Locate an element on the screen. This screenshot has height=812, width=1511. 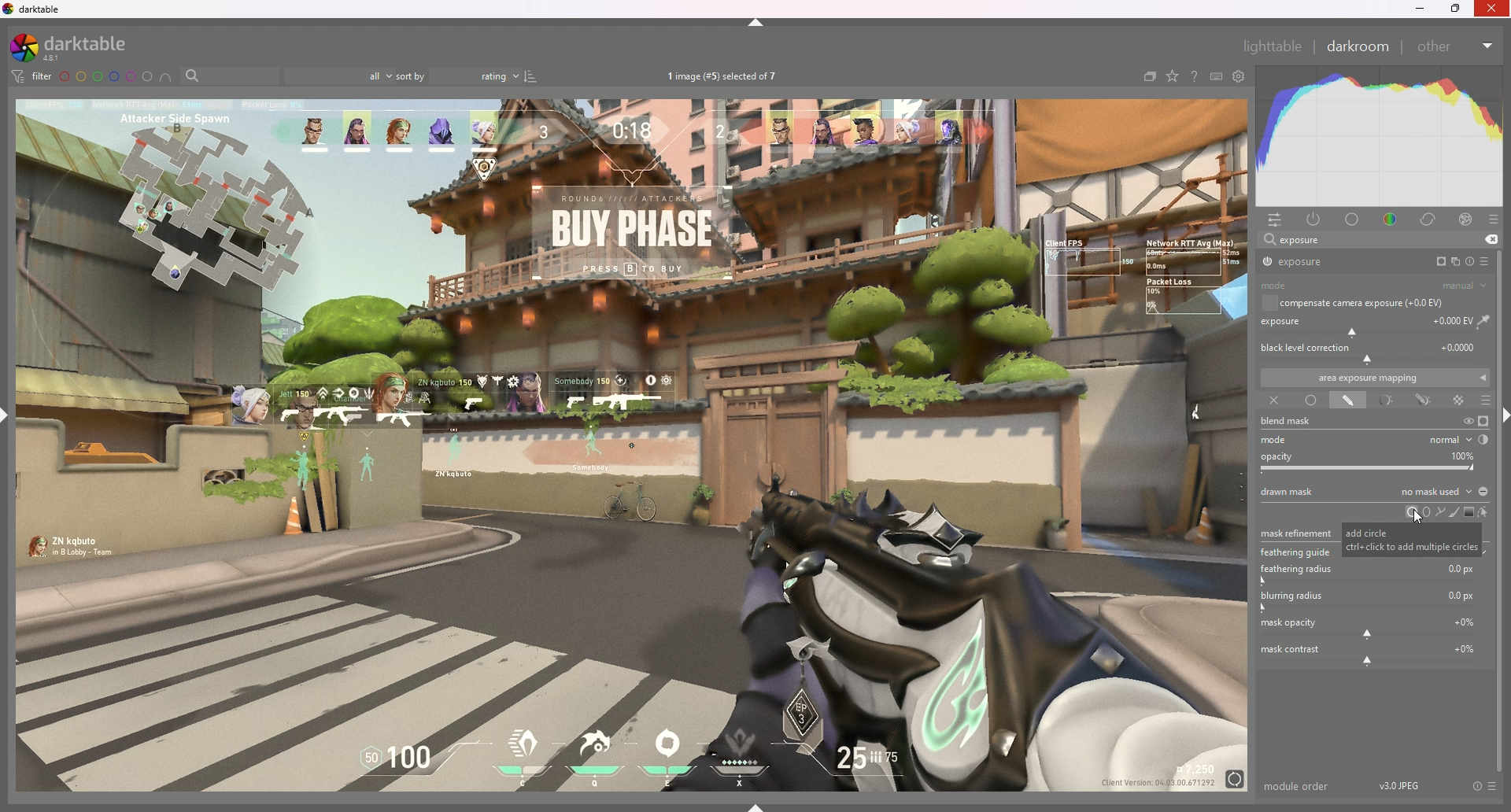
blurring radius is located at coordinates (1372, 601).